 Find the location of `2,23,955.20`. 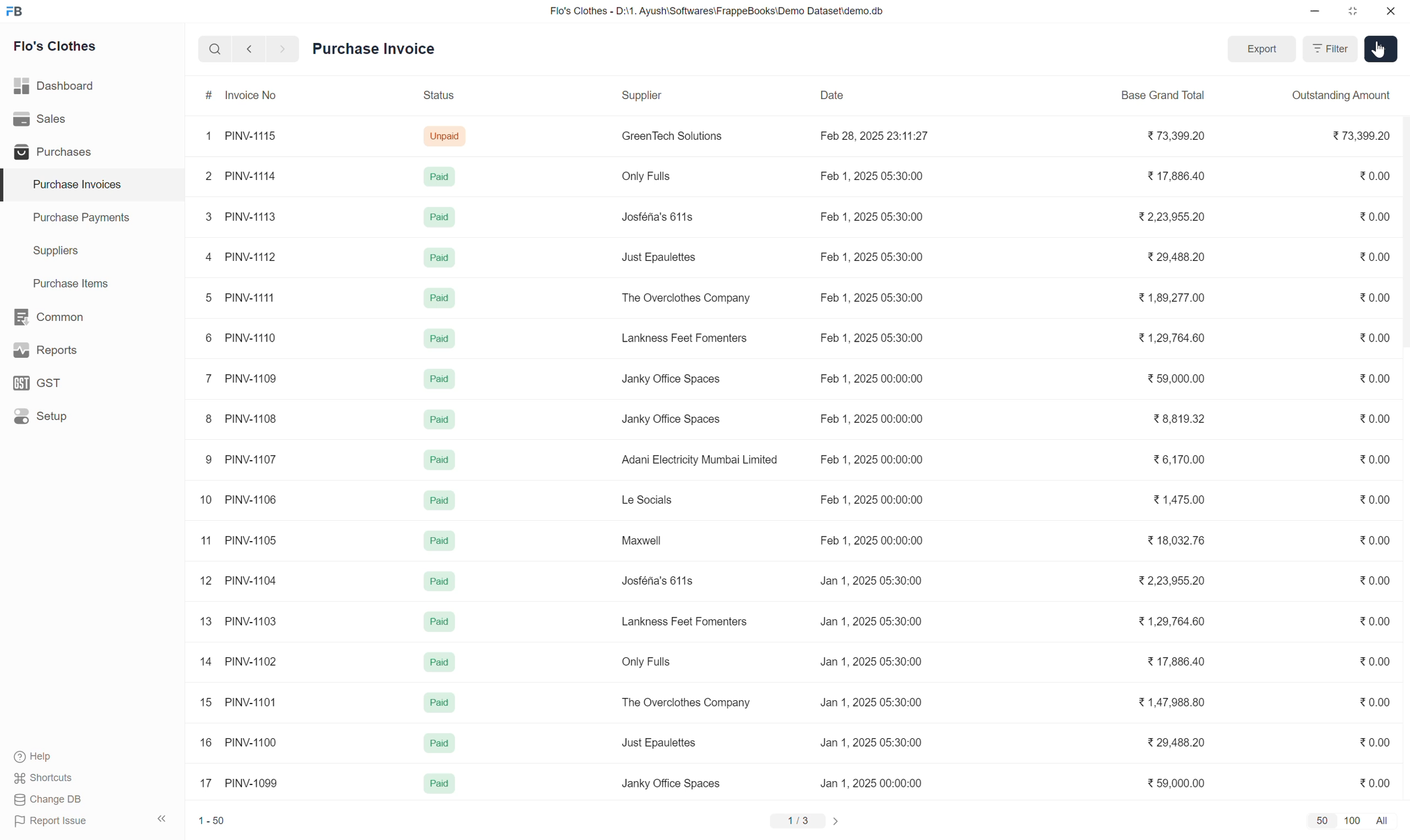

2,23,955.20 is located at coordinates (1182, 218).